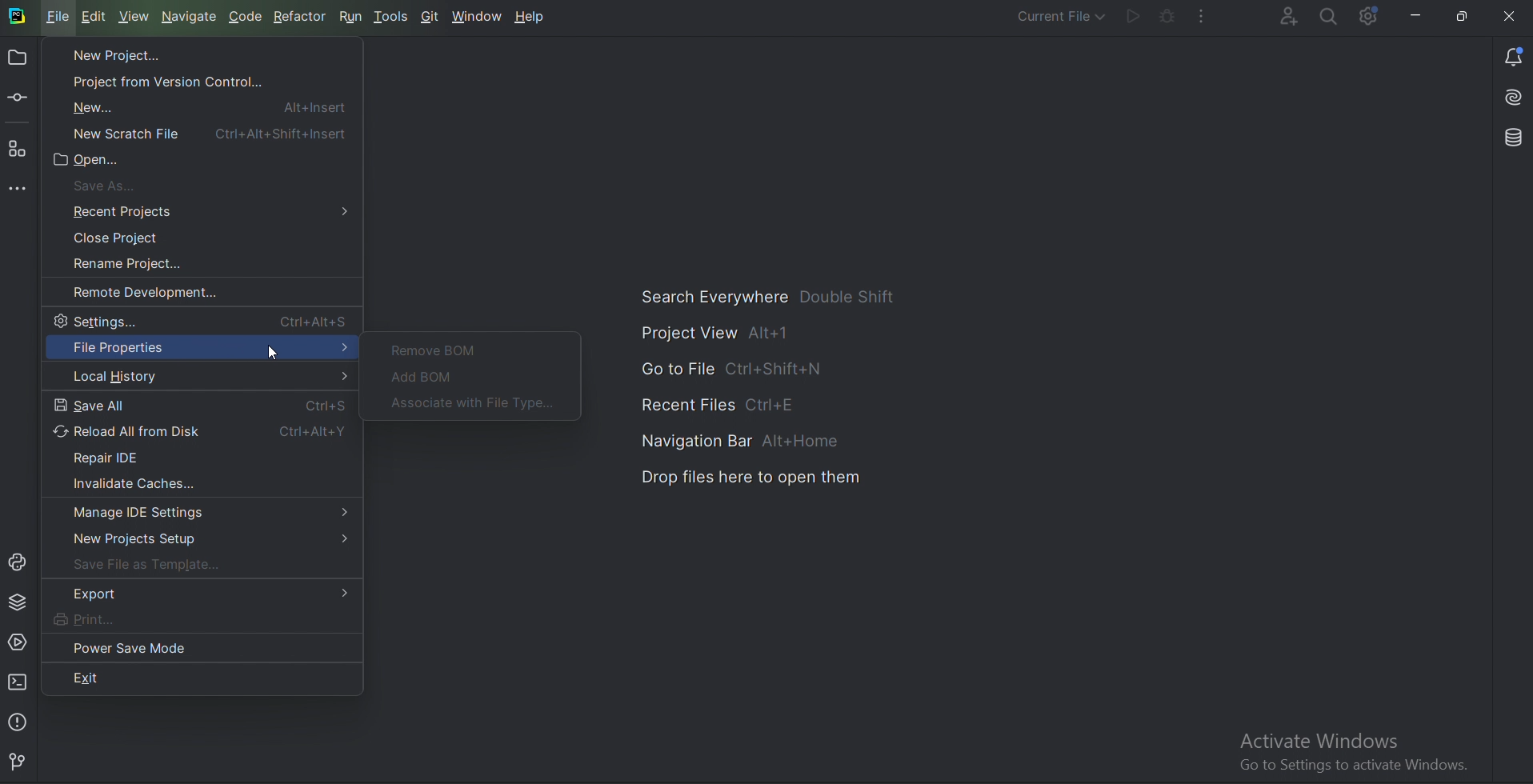  What do you see at coordinates (303, 18) in the screenshot?
I see `Refactor` at bounding box center [303, 18].